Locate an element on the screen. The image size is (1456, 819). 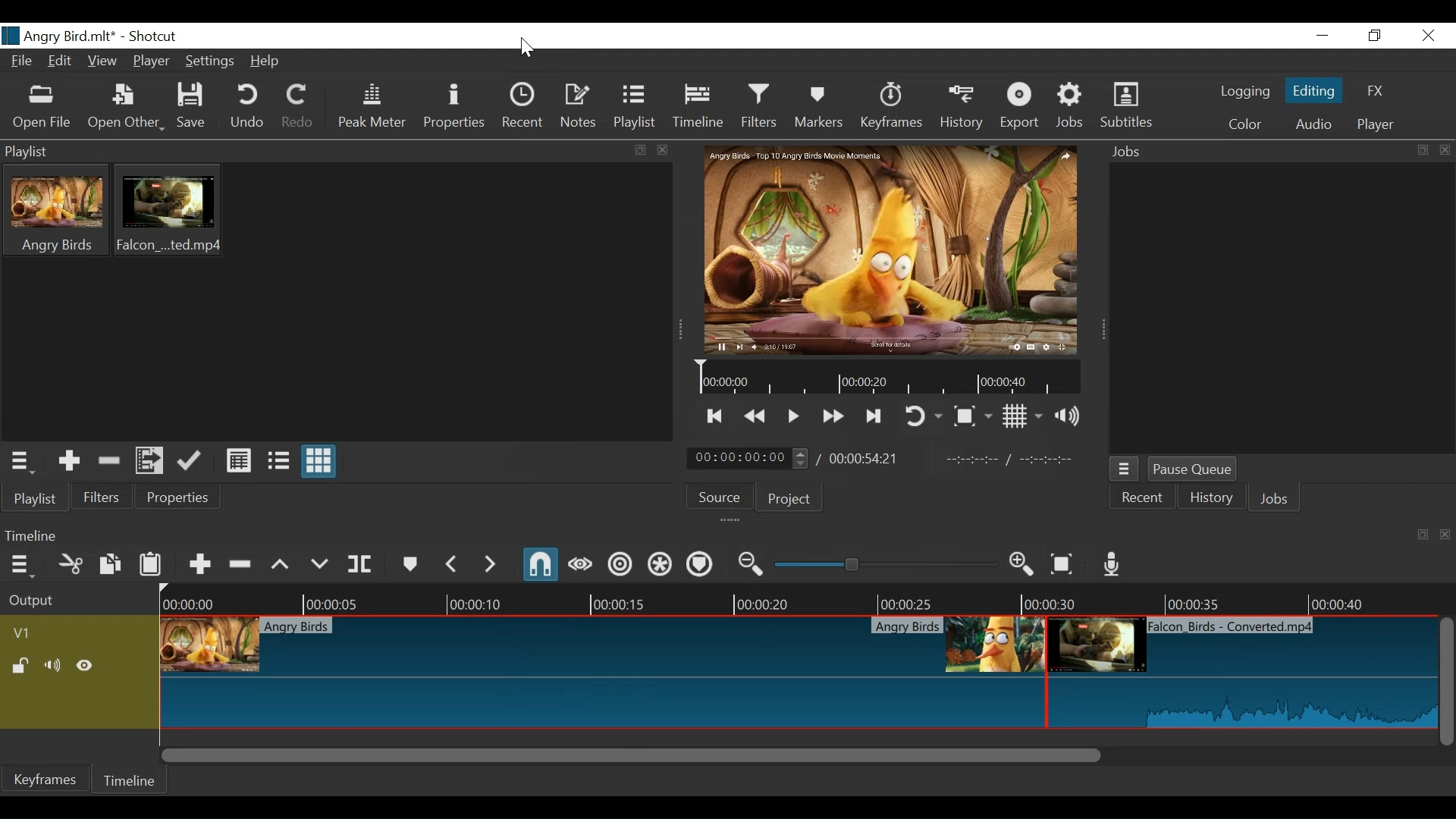
Total Duration is located at coordinates (865, 457).